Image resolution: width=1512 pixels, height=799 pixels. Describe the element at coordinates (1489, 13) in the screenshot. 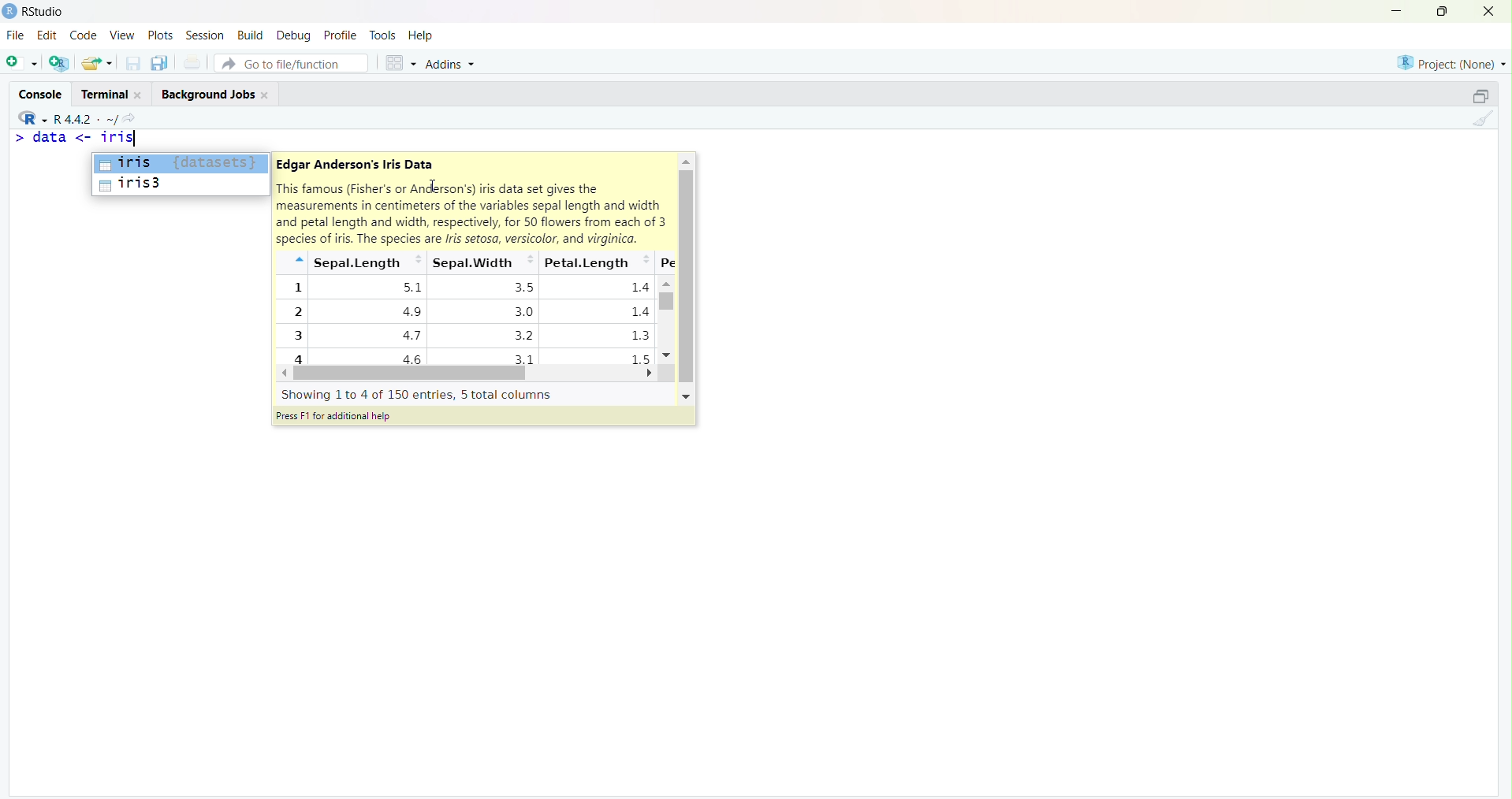

I see `Close` at that location.